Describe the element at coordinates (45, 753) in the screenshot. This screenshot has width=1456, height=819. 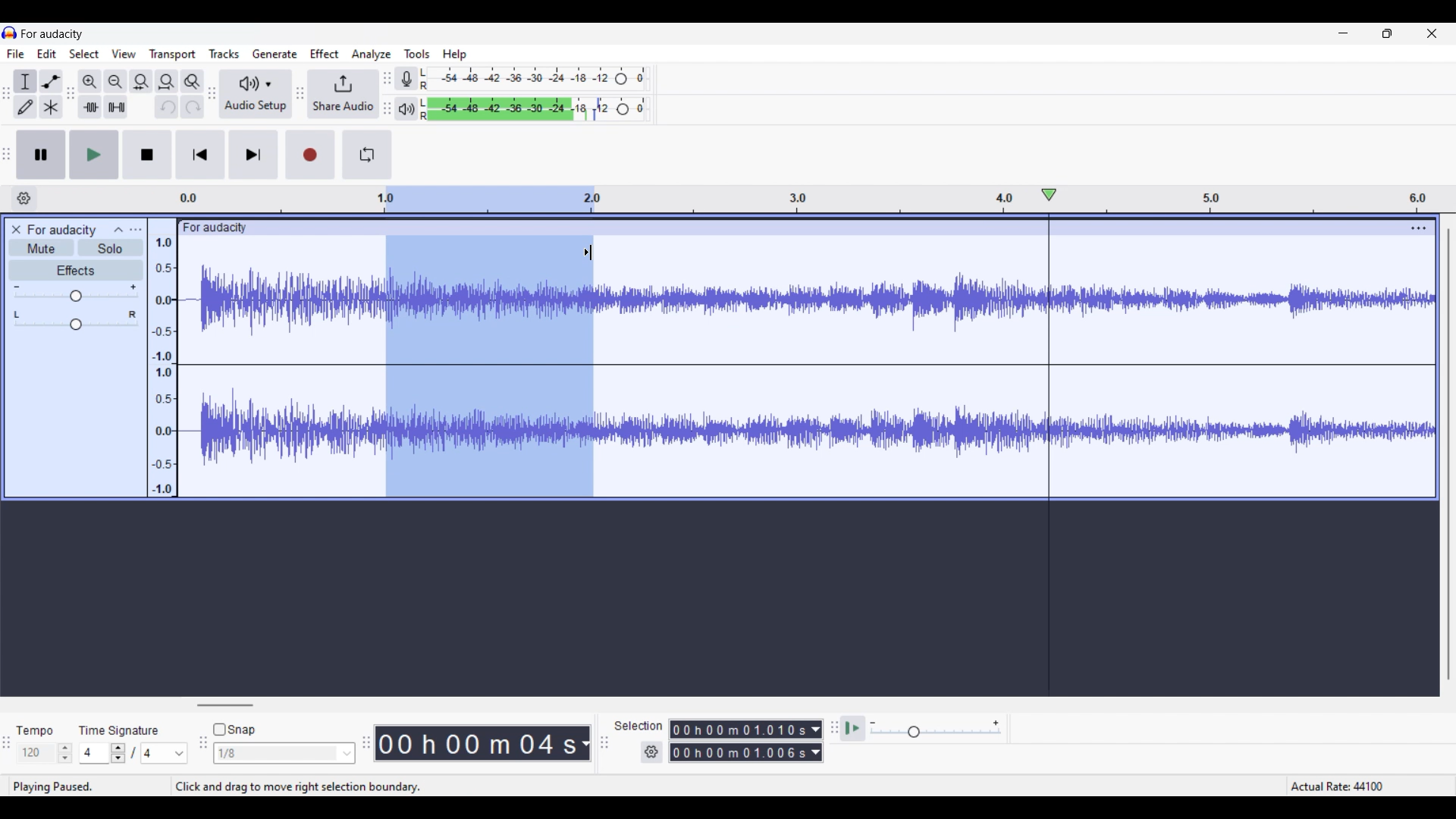
I see `Tempo settings` at that location.